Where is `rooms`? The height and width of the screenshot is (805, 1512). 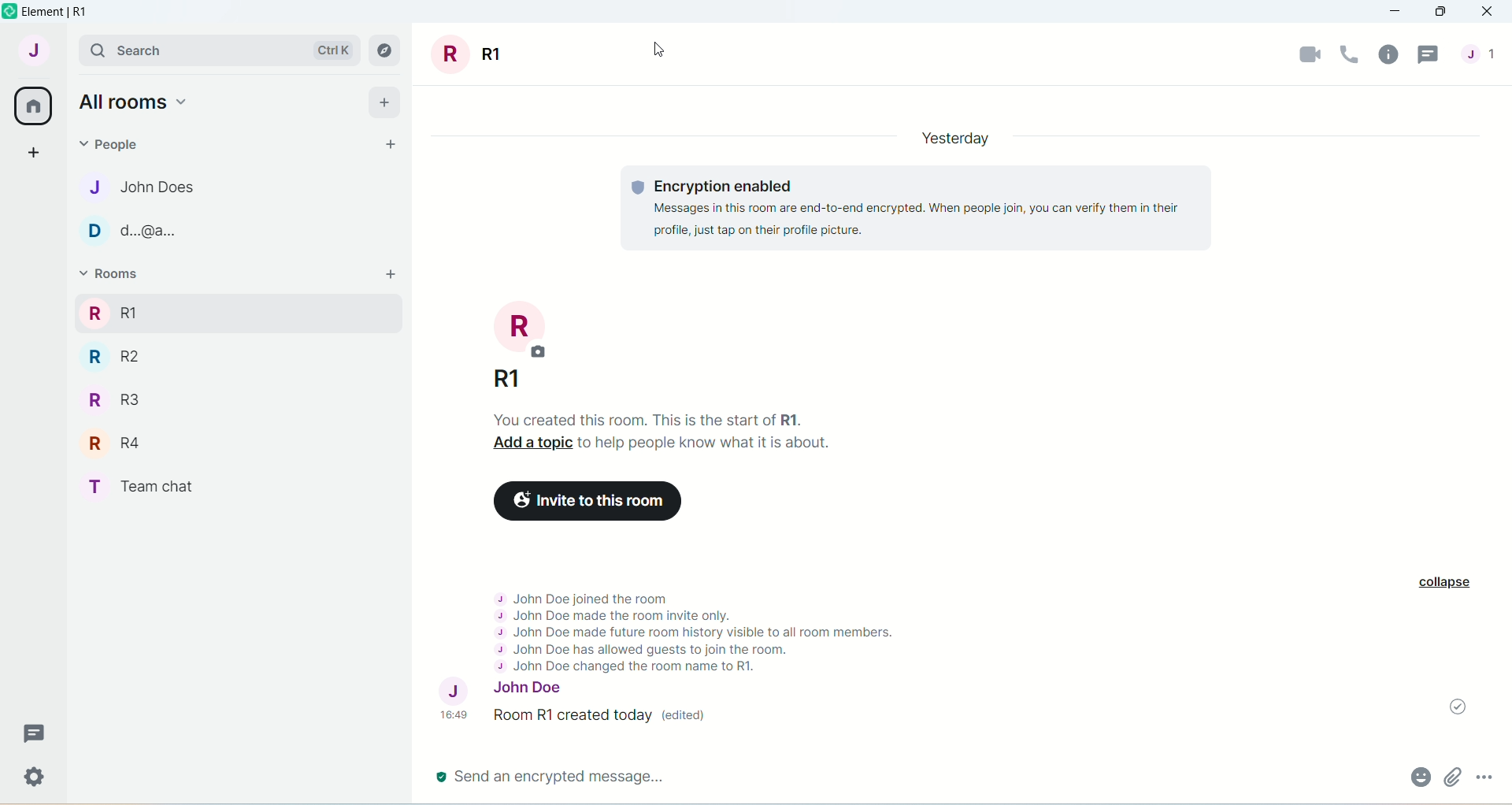 rooms is located at coordinates (120, 272).